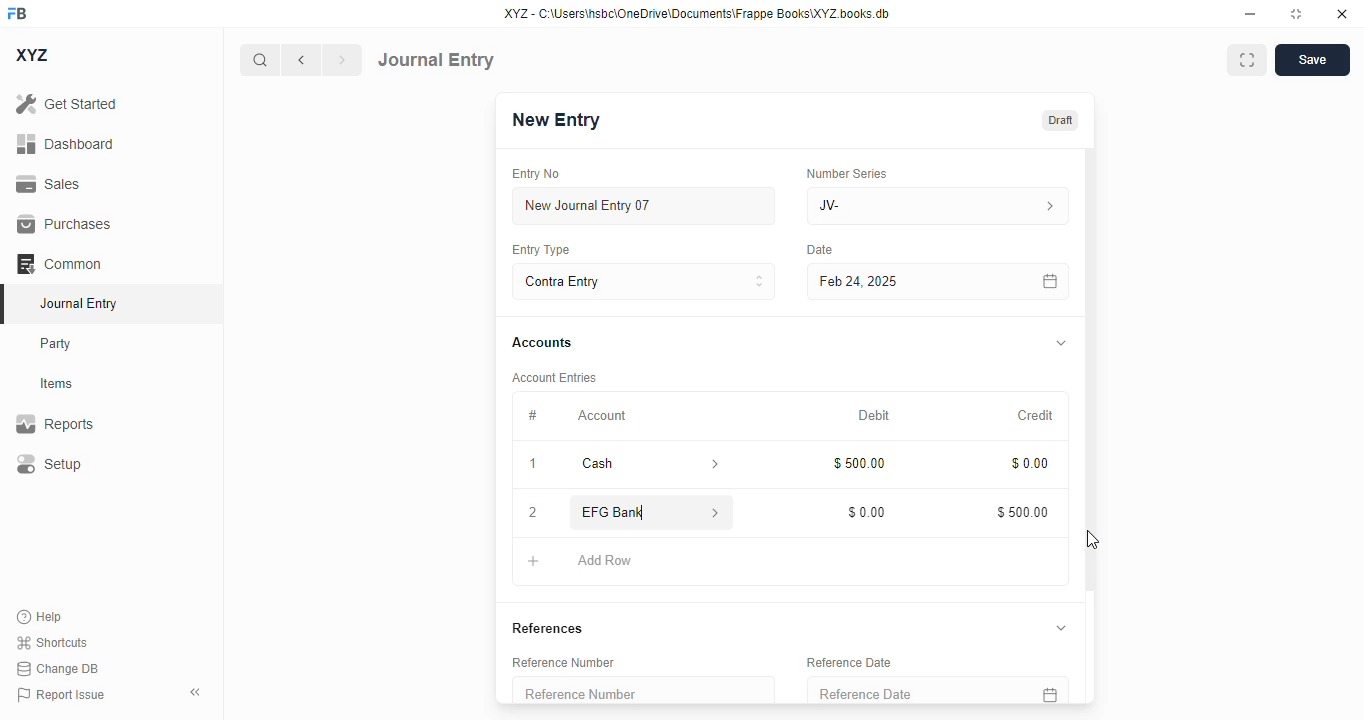 The height and width of the screenshot is (720, 1364). What do you see at coordinates (1090, 426) in the screenshot?
I see `vertical scroll bar` at bounding box center [1090, 426].